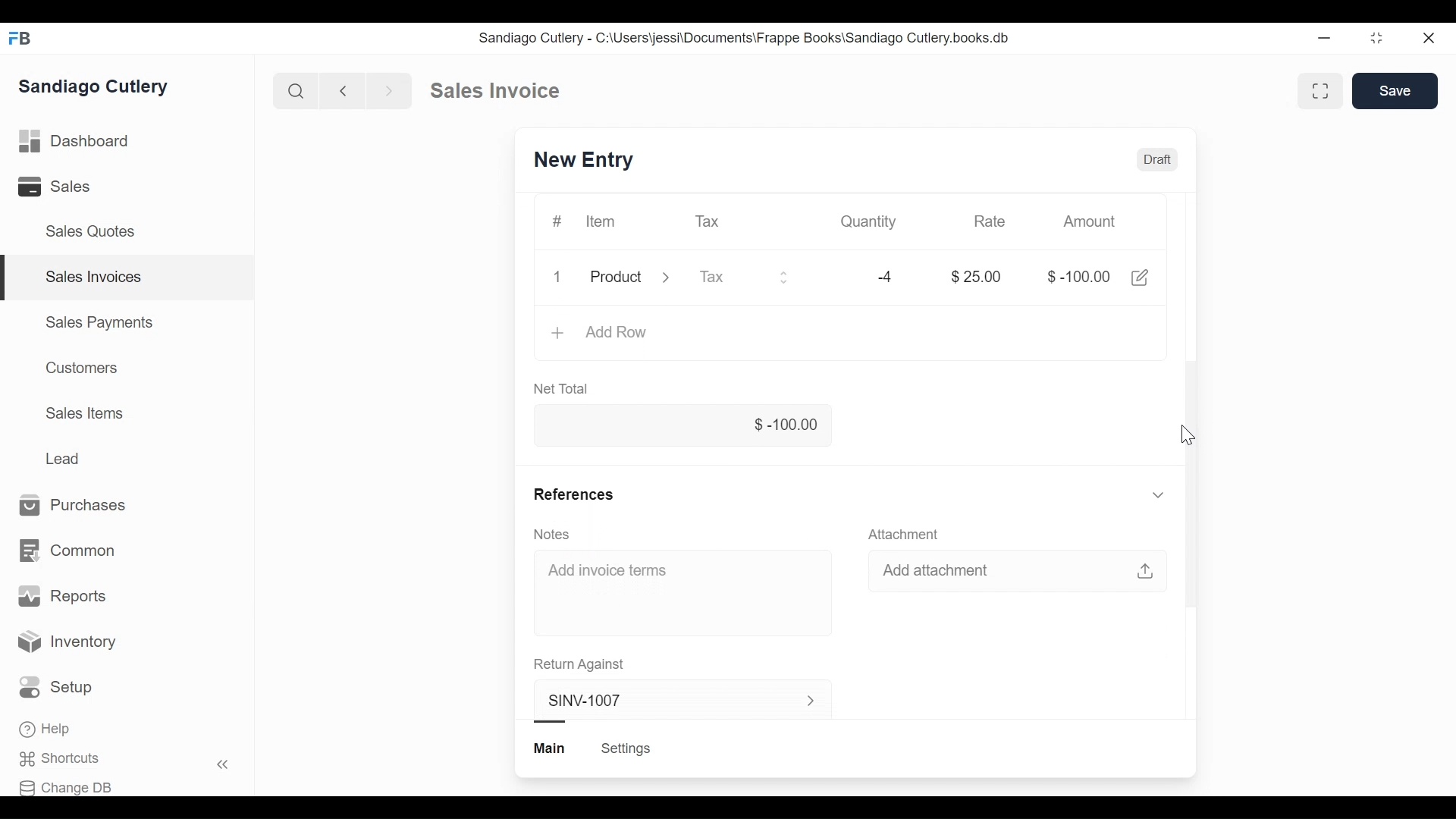 The width and height of the screenshot is (1456, 819). What do you see at coordinates (74, 141) in the screenshot?
I see `Dashboard` at bounding box center [74, 141].